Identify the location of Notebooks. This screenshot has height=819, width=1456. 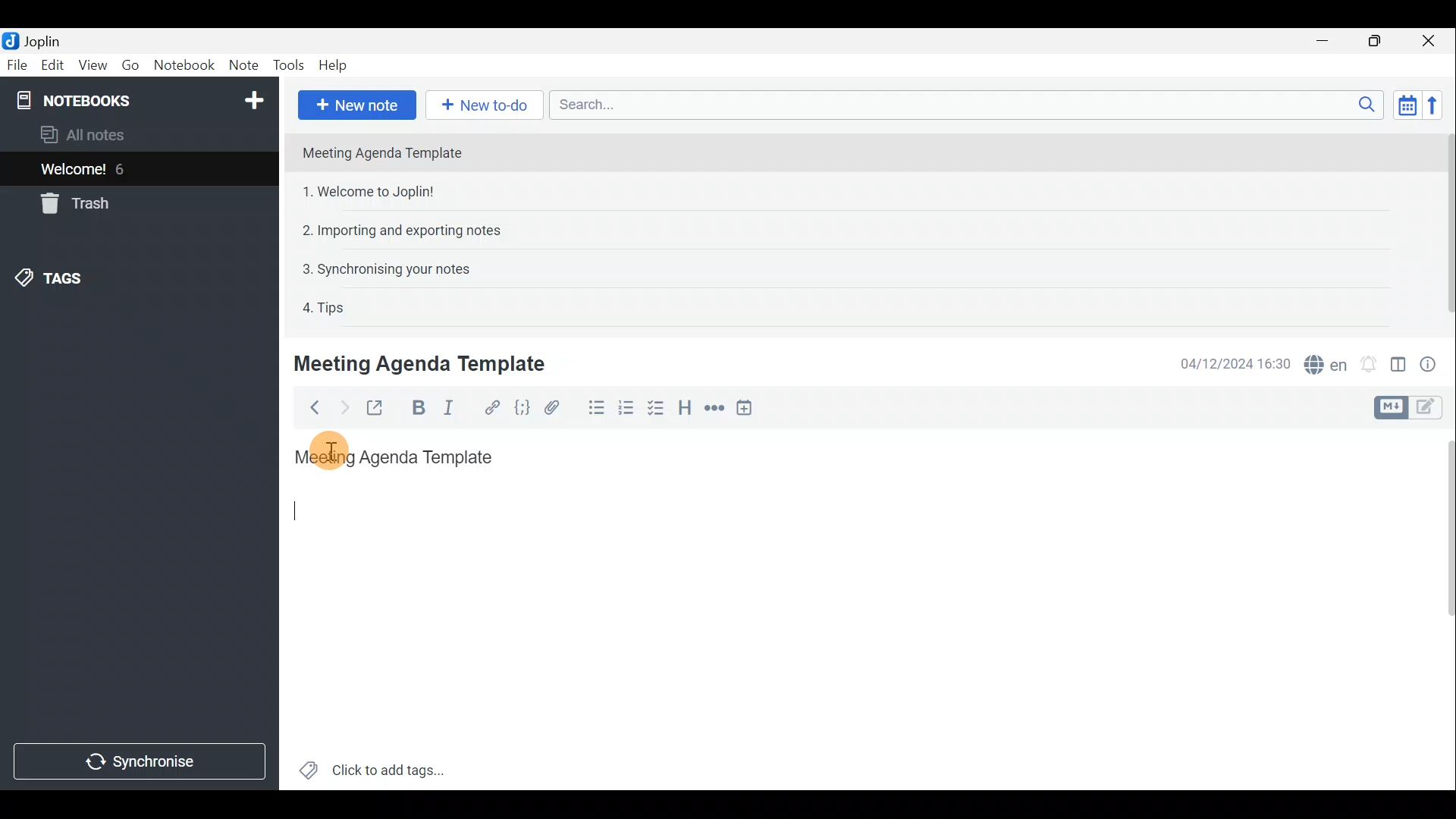
(142, 99).